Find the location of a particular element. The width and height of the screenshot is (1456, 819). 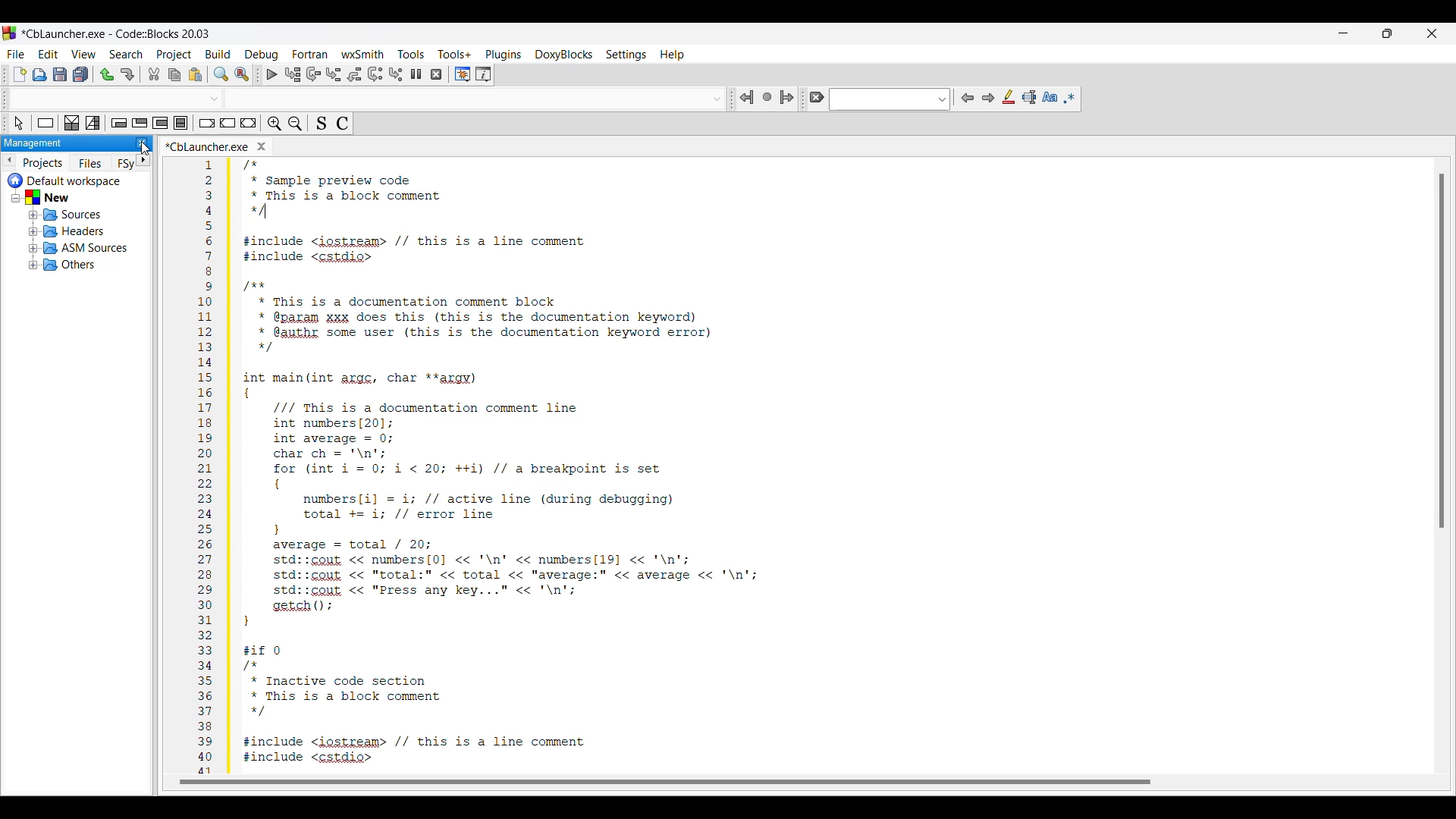

Next is located at coordinates (987, 98).